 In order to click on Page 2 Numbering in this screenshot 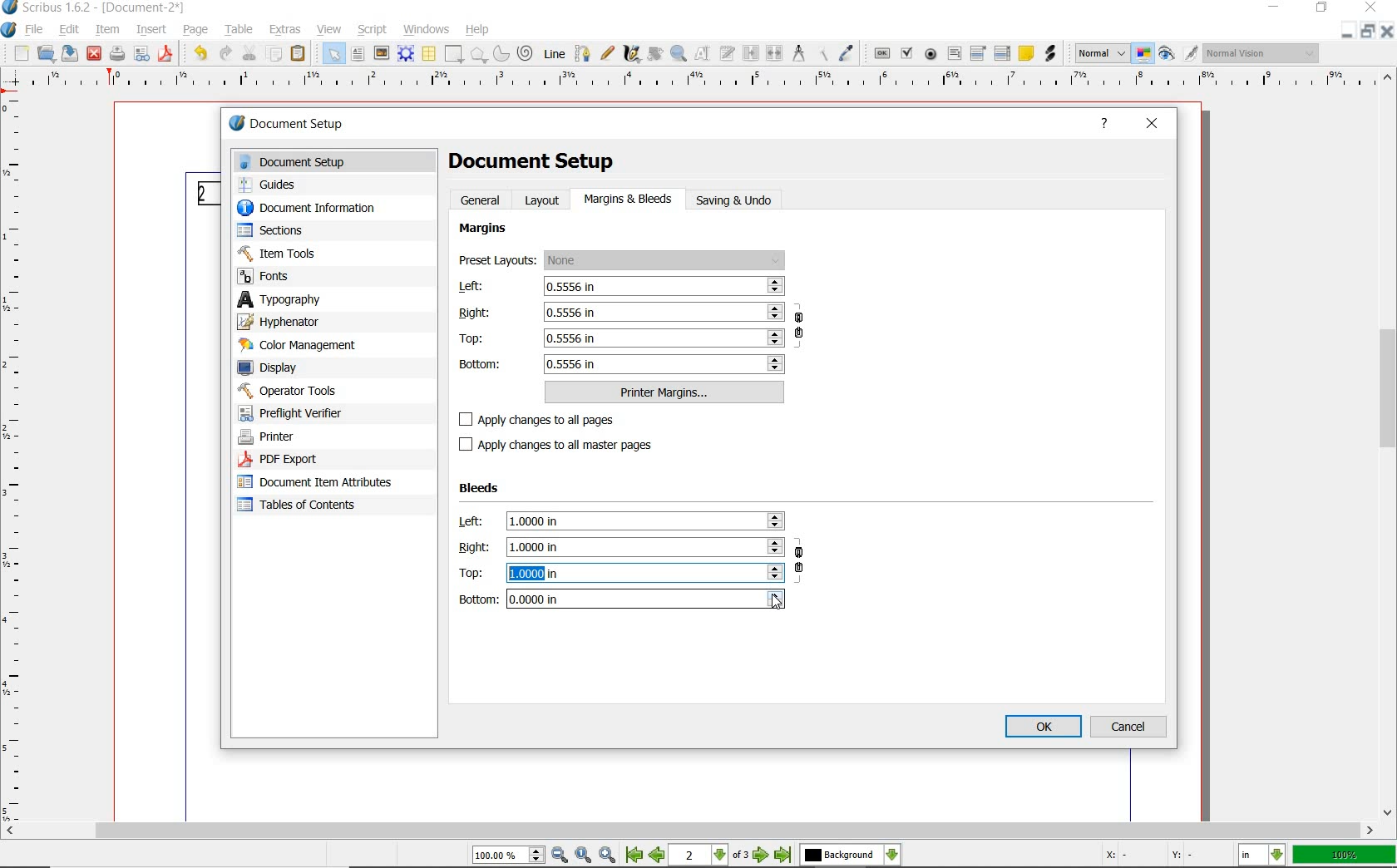, I will do `click(206, 194)`.